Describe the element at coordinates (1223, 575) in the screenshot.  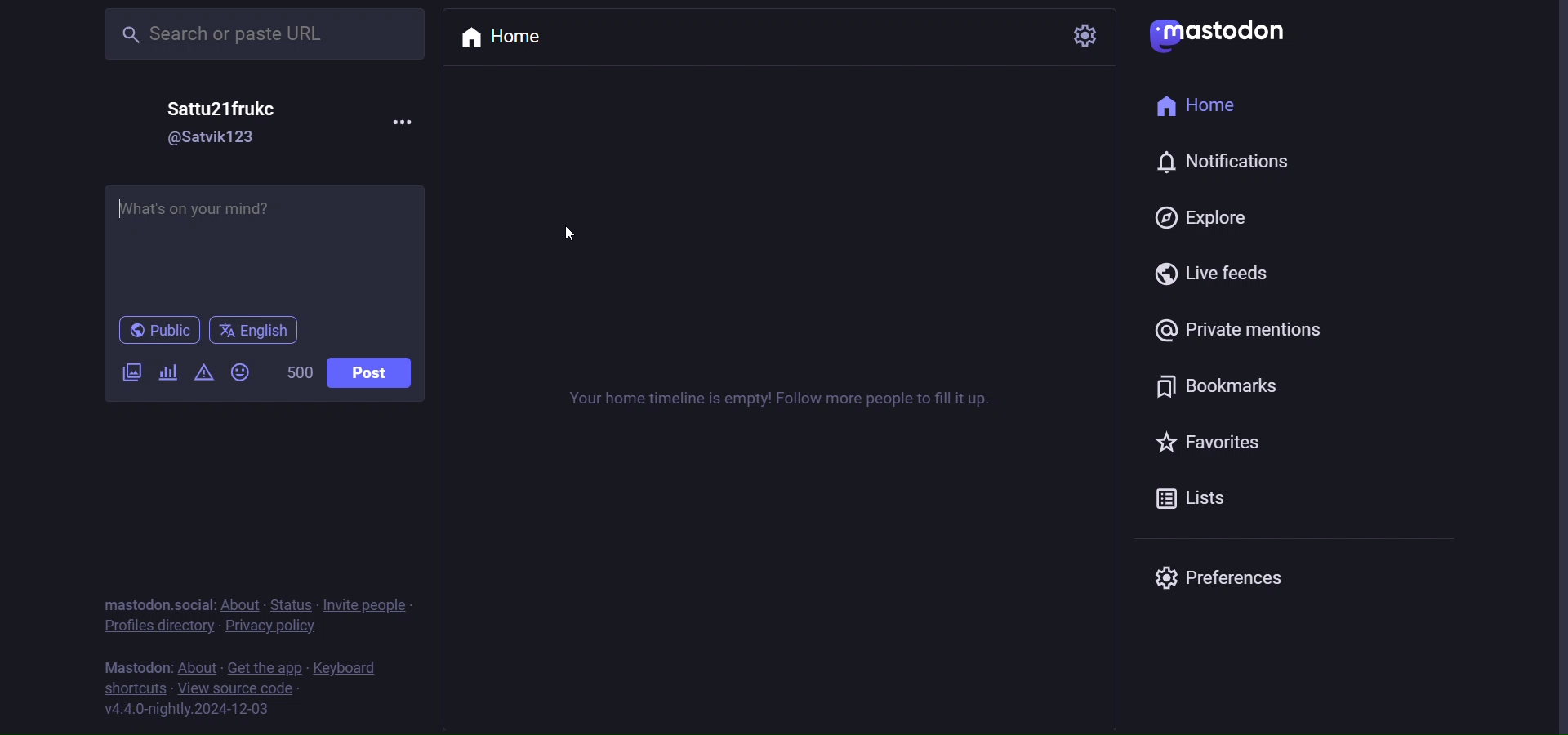
I see `preferences` at that location.